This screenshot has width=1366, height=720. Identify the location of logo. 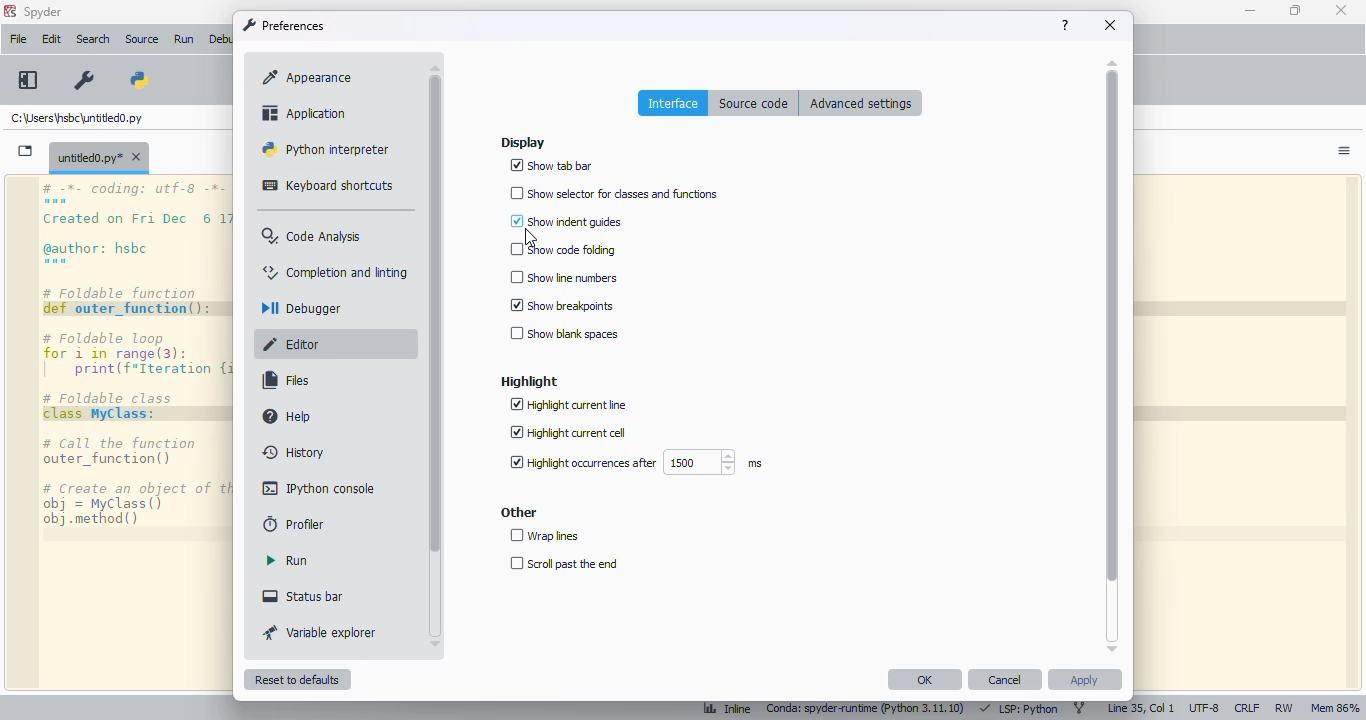
(9, 11).